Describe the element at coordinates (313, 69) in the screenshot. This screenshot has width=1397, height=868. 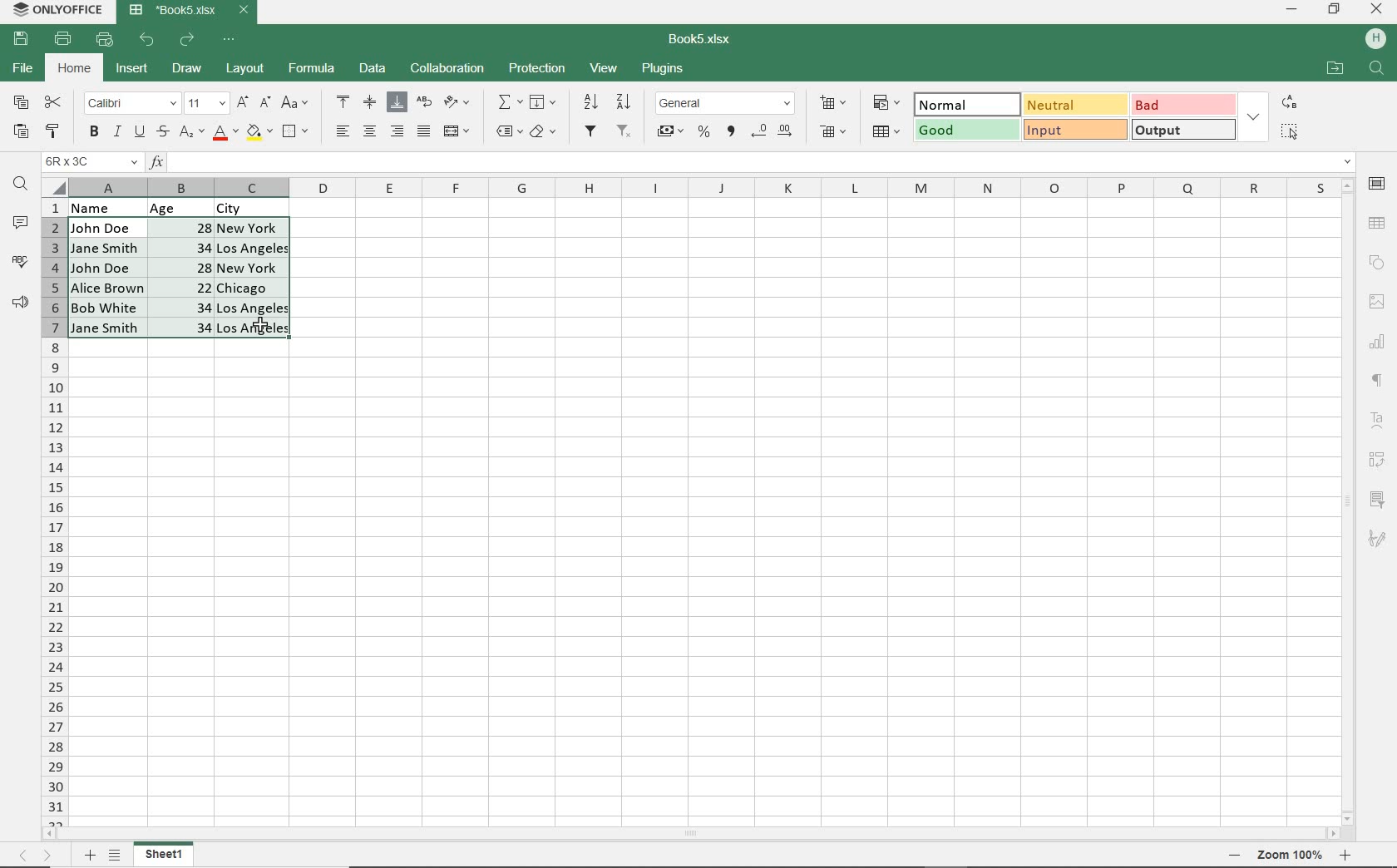
I see `FORMULA` at that location.